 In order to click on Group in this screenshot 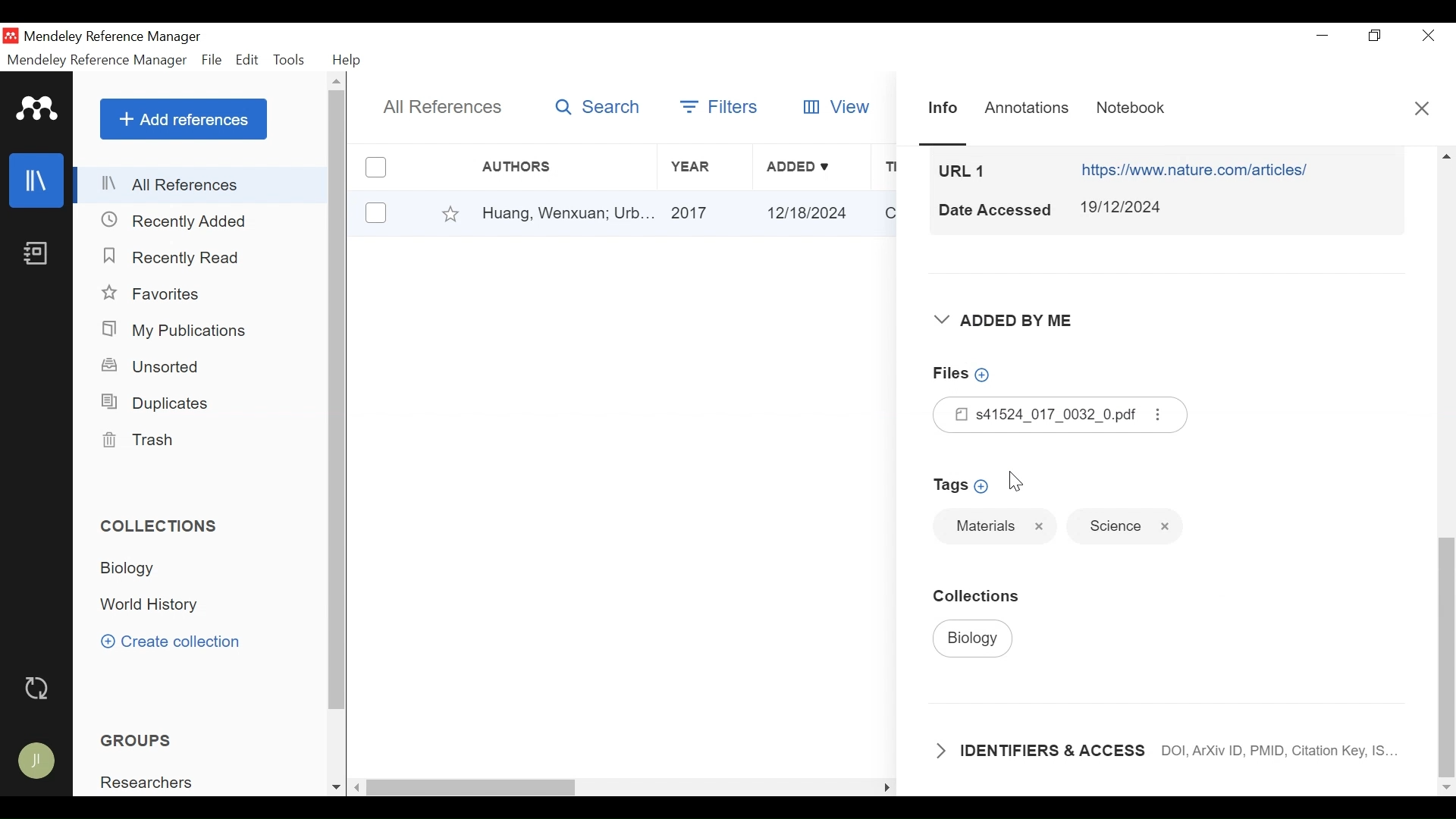, I will do `click(155, 783)`.